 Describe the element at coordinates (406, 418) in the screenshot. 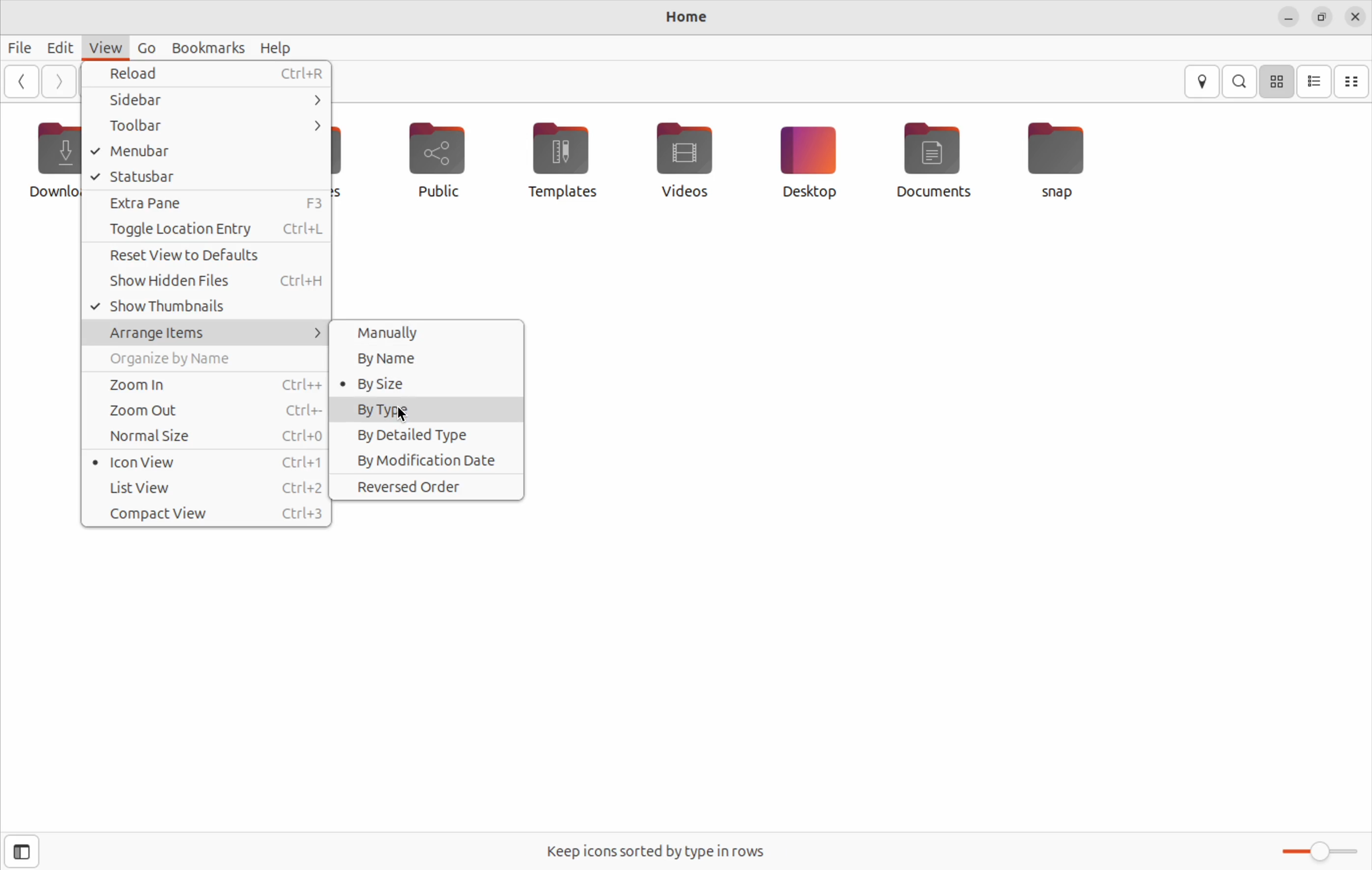

I see `Cursor` at that location.